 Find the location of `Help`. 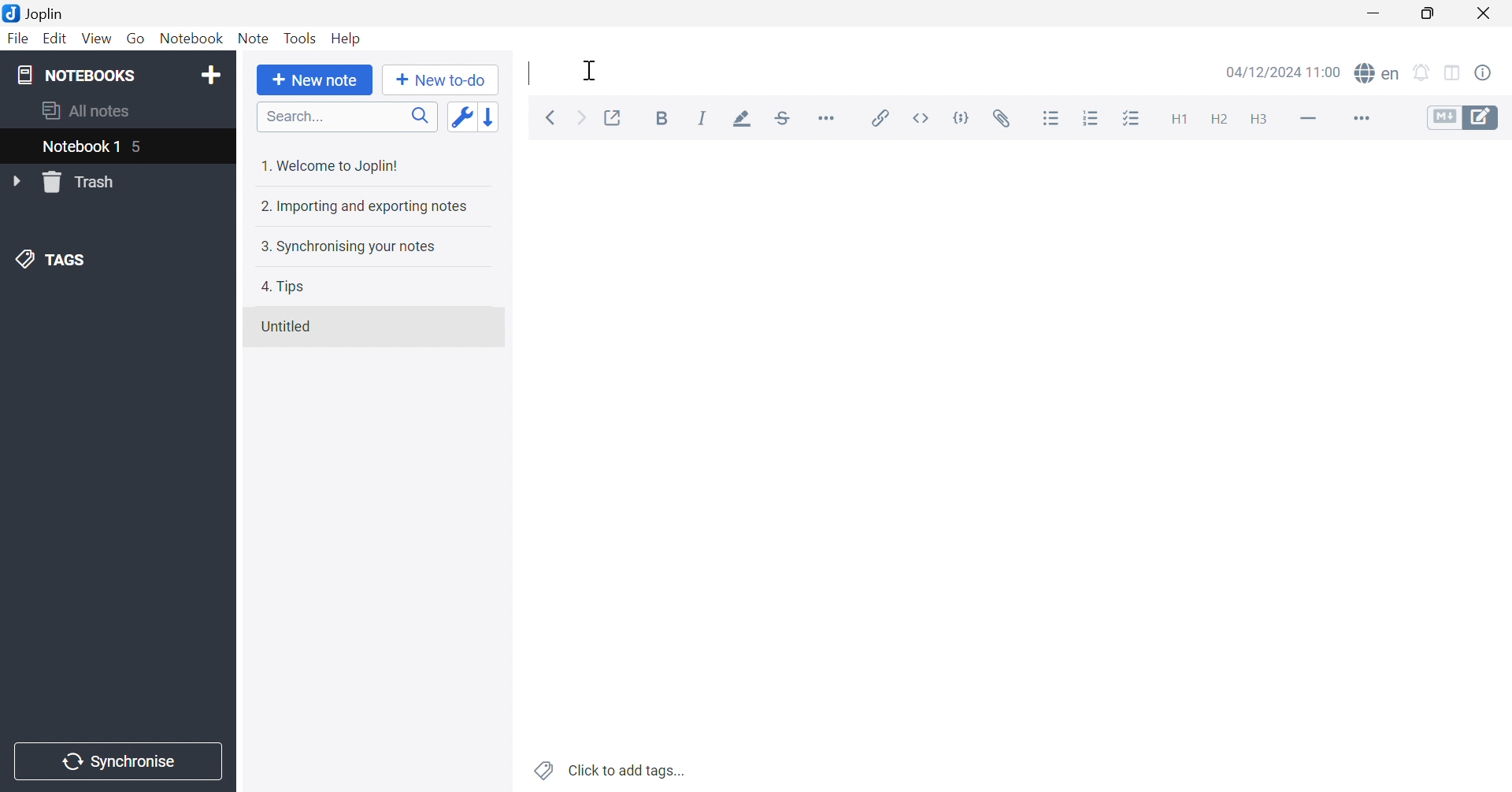

Help is located at coordinates (347, 38).